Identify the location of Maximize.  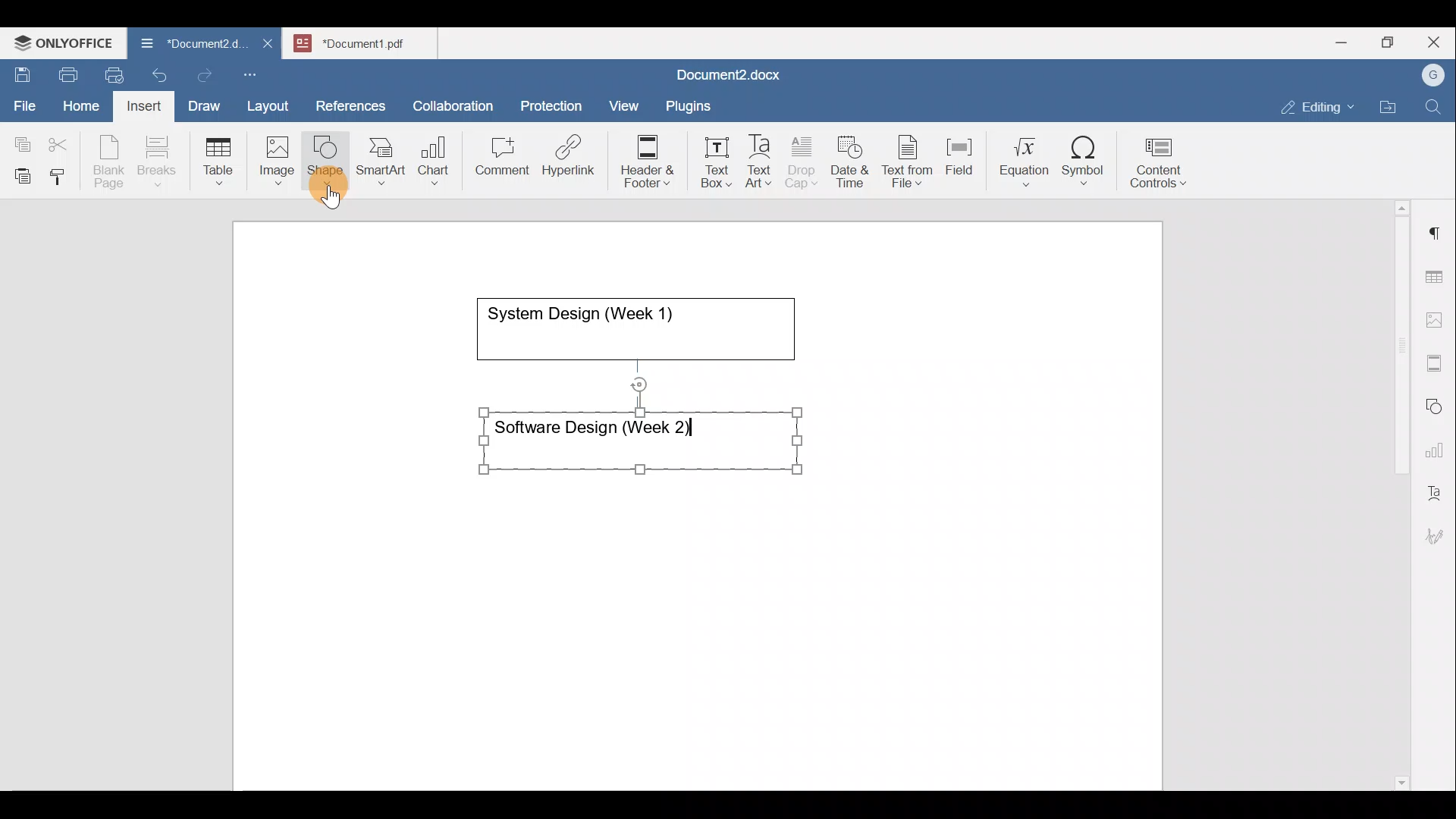
(1392, 42).